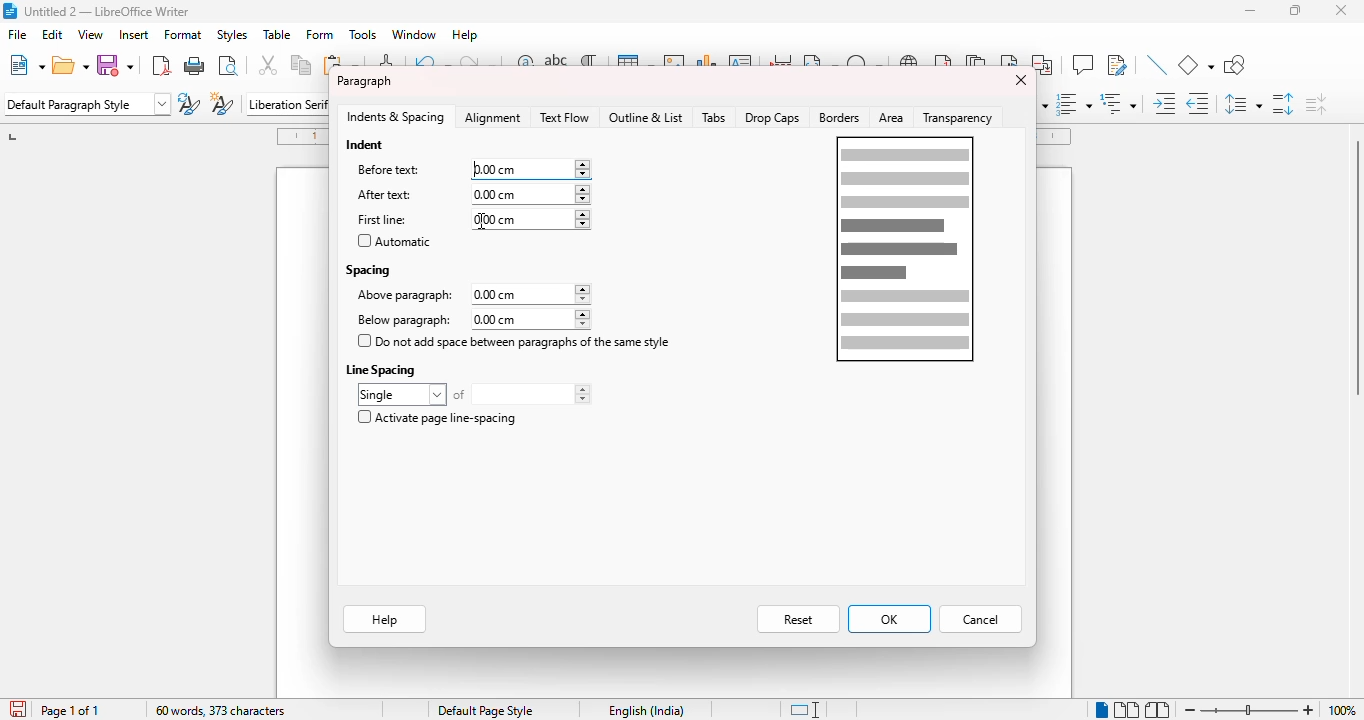 This screenshot has width=1364, height=720. Describe the element at coordinates (384, 621) in the screenshot. I see `help` at that location.